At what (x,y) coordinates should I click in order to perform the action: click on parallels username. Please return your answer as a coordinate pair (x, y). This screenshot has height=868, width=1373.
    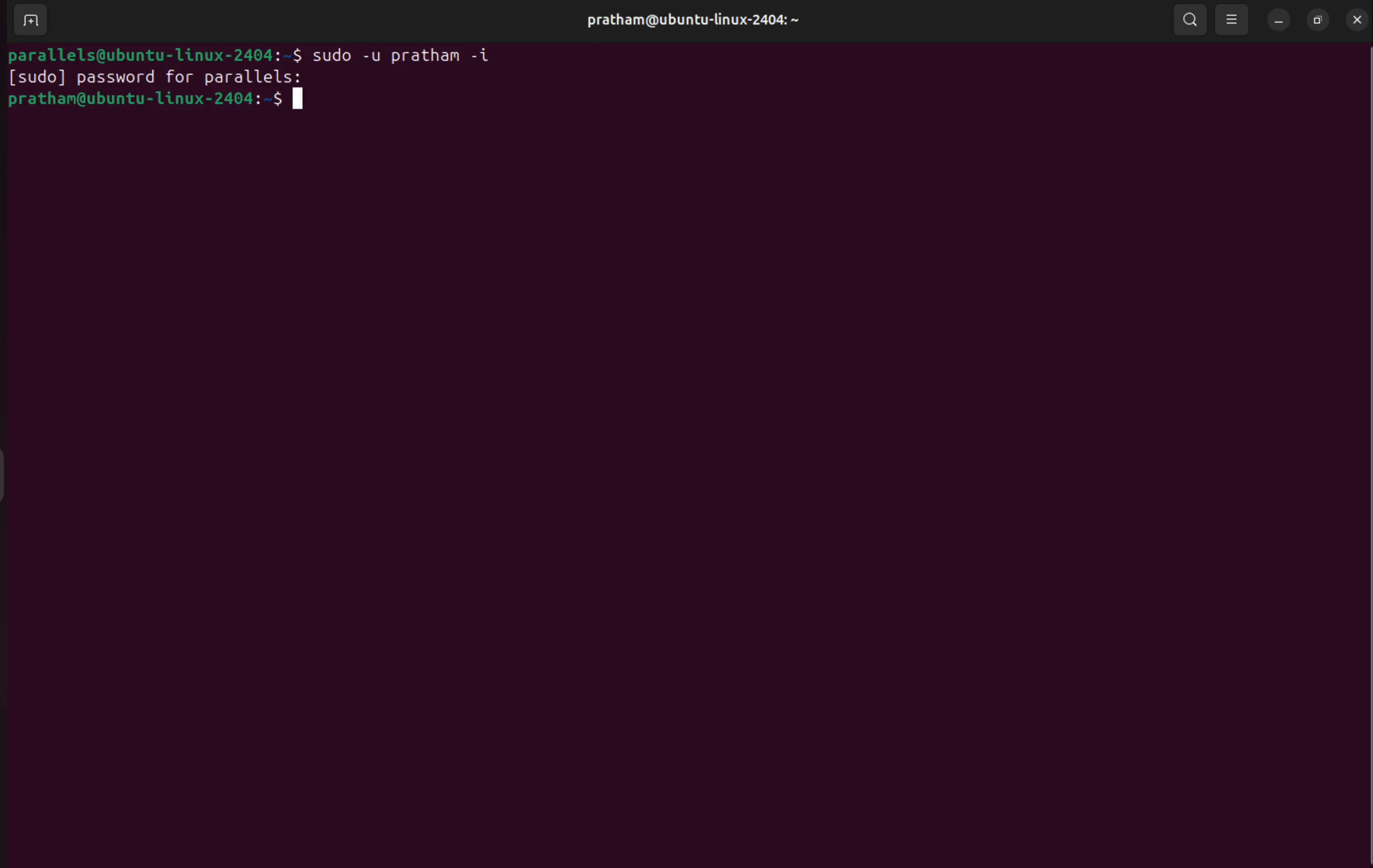
    Looking at the image, I should click on (691, 21).